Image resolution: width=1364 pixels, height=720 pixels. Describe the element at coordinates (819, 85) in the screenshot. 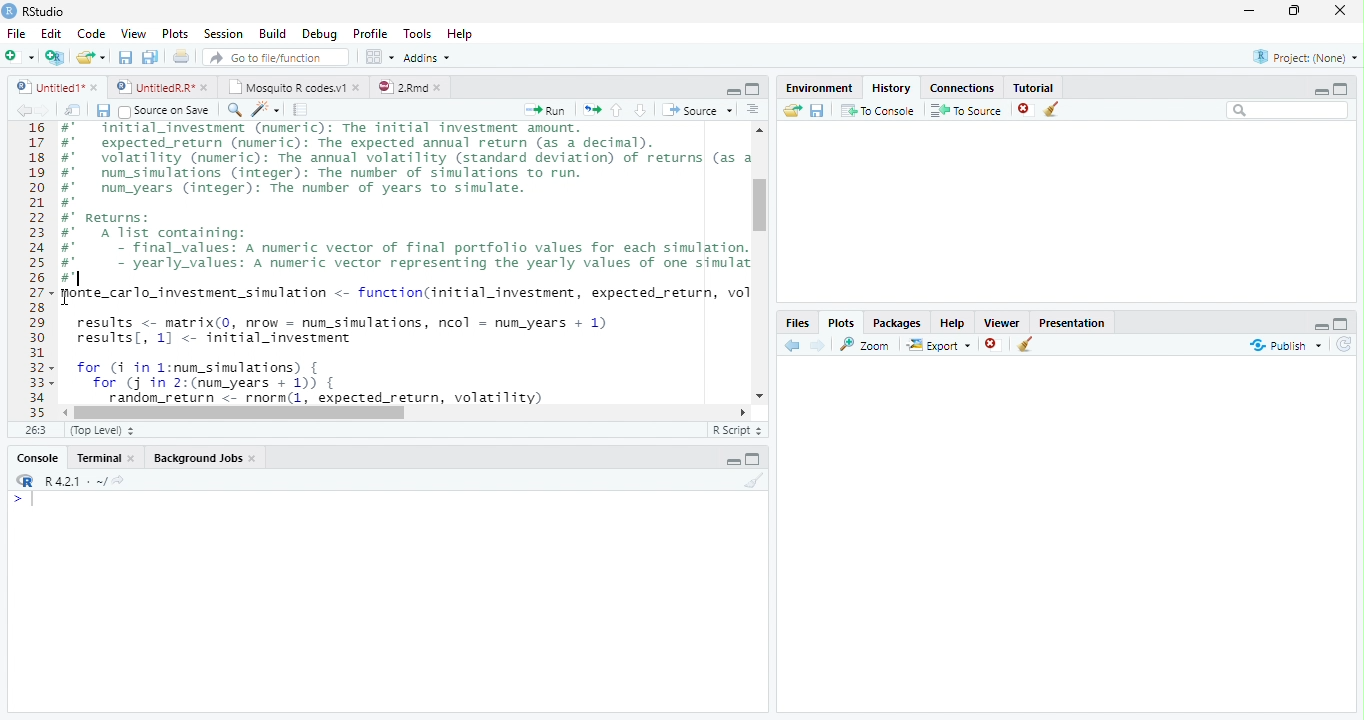

I see `Environment` at that location.